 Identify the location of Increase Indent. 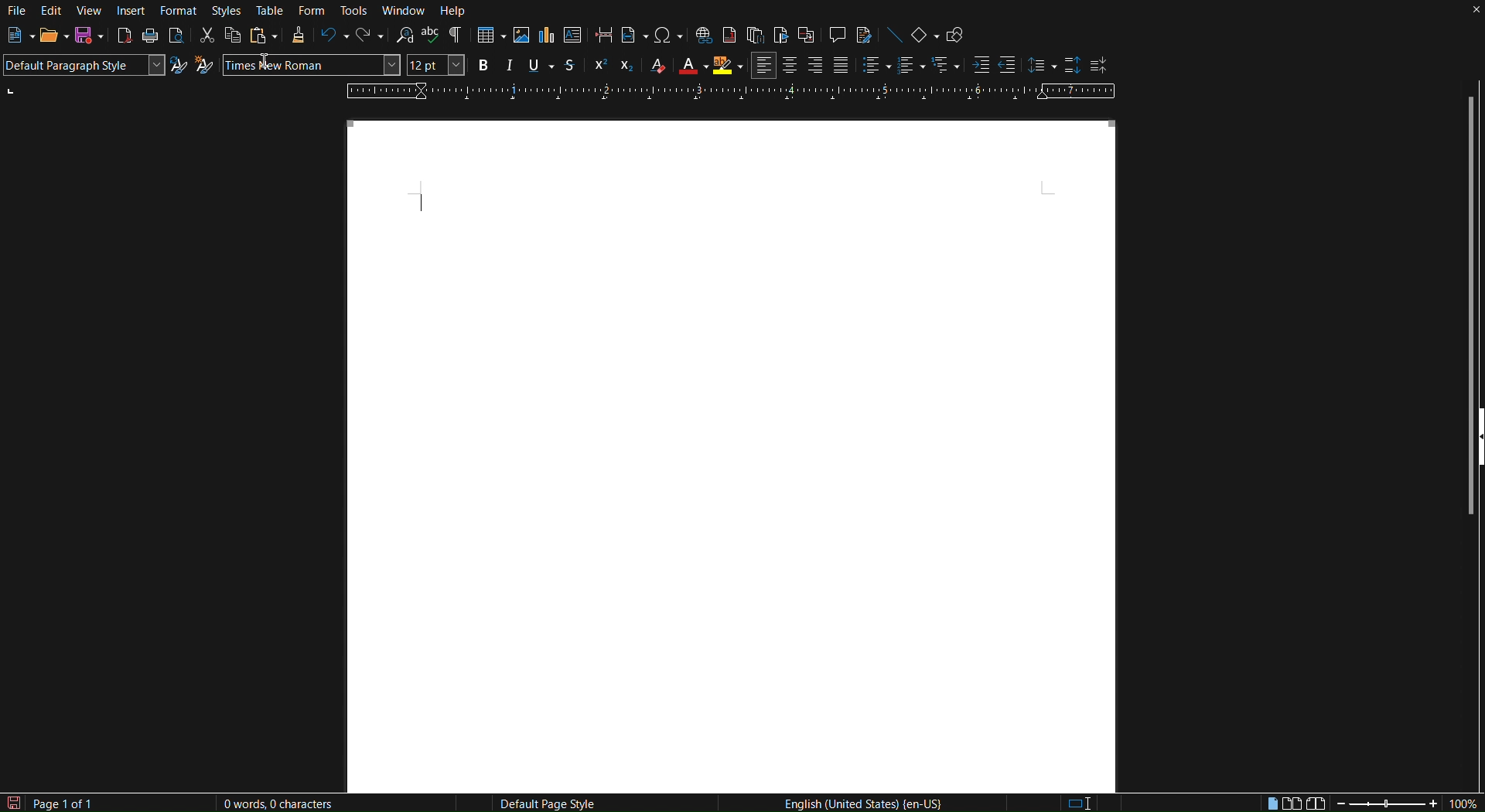
(980, 67).